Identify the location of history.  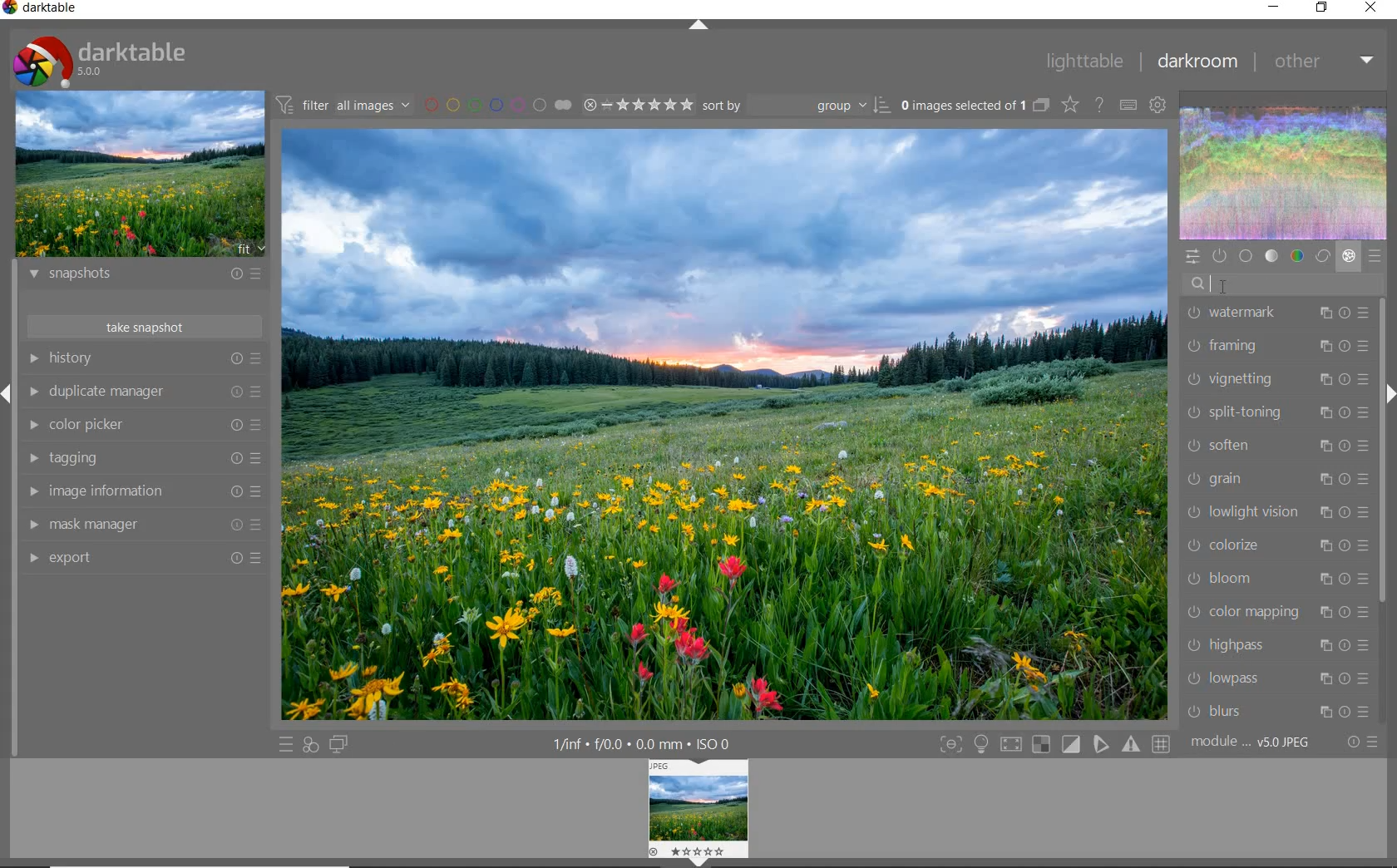
(143, 358).